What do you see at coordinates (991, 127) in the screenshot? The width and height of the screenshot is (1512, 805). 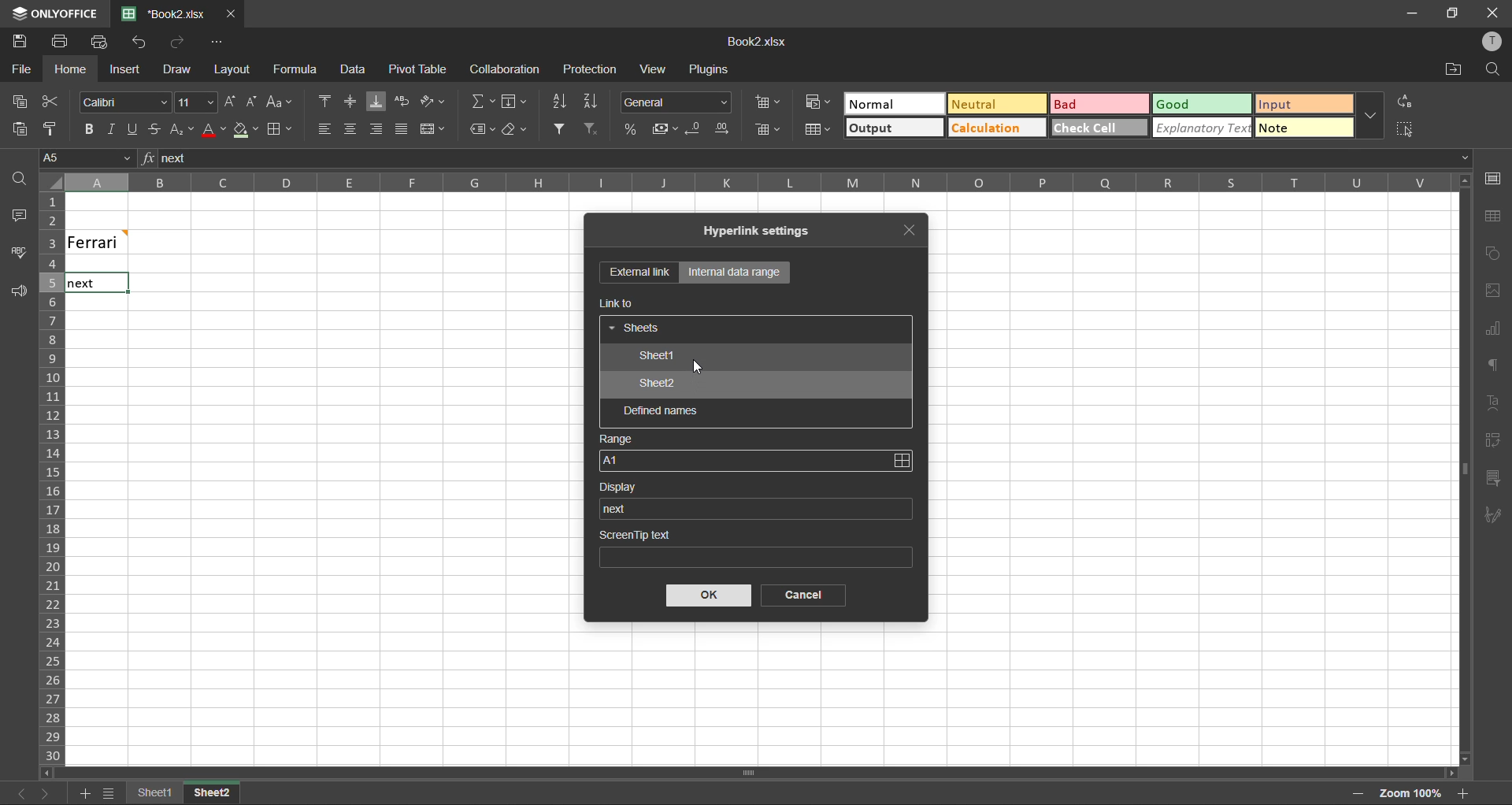 I see `calculation` at bounding box center [991, 127].